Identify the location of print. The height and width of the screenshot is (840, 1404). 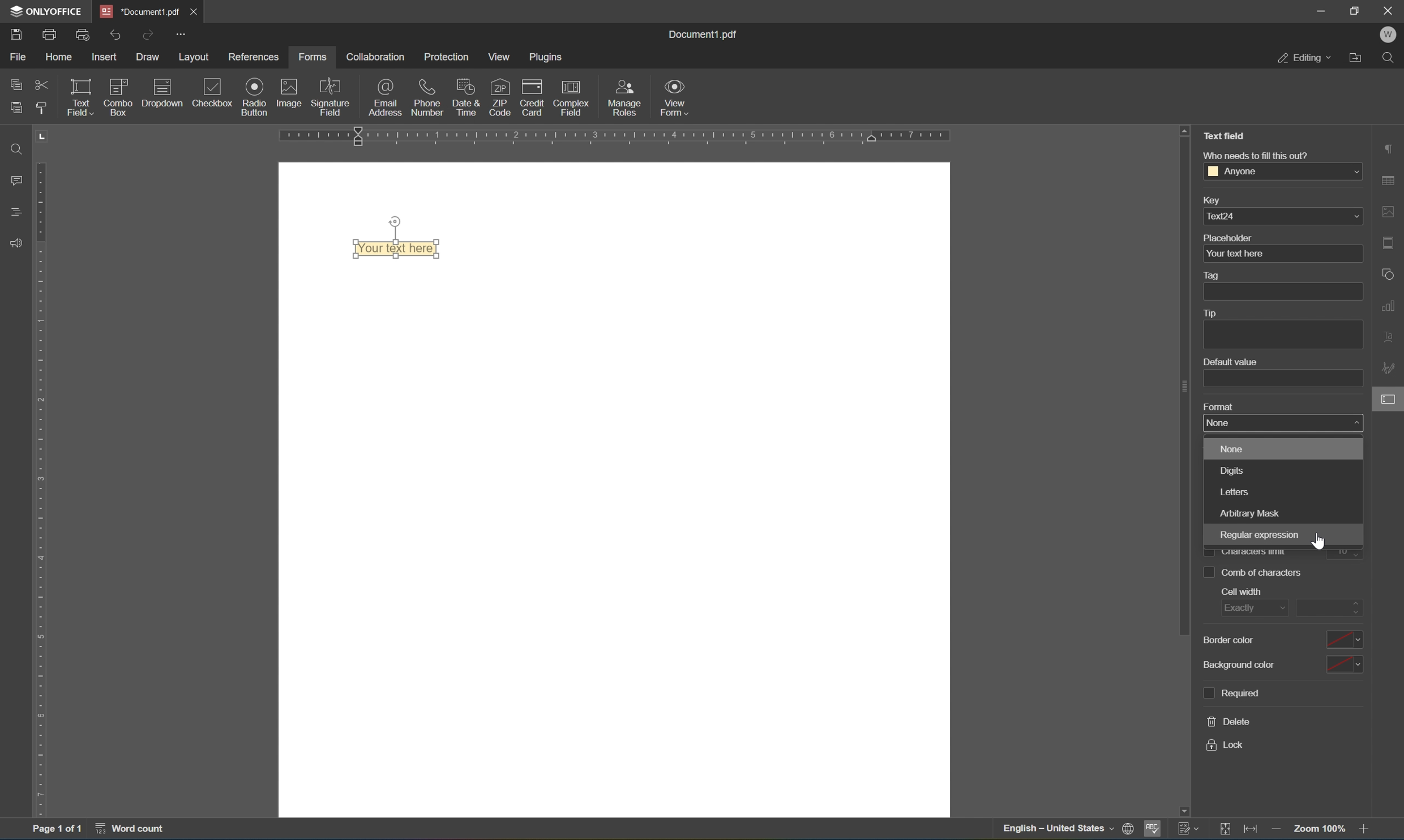
(50, 36).